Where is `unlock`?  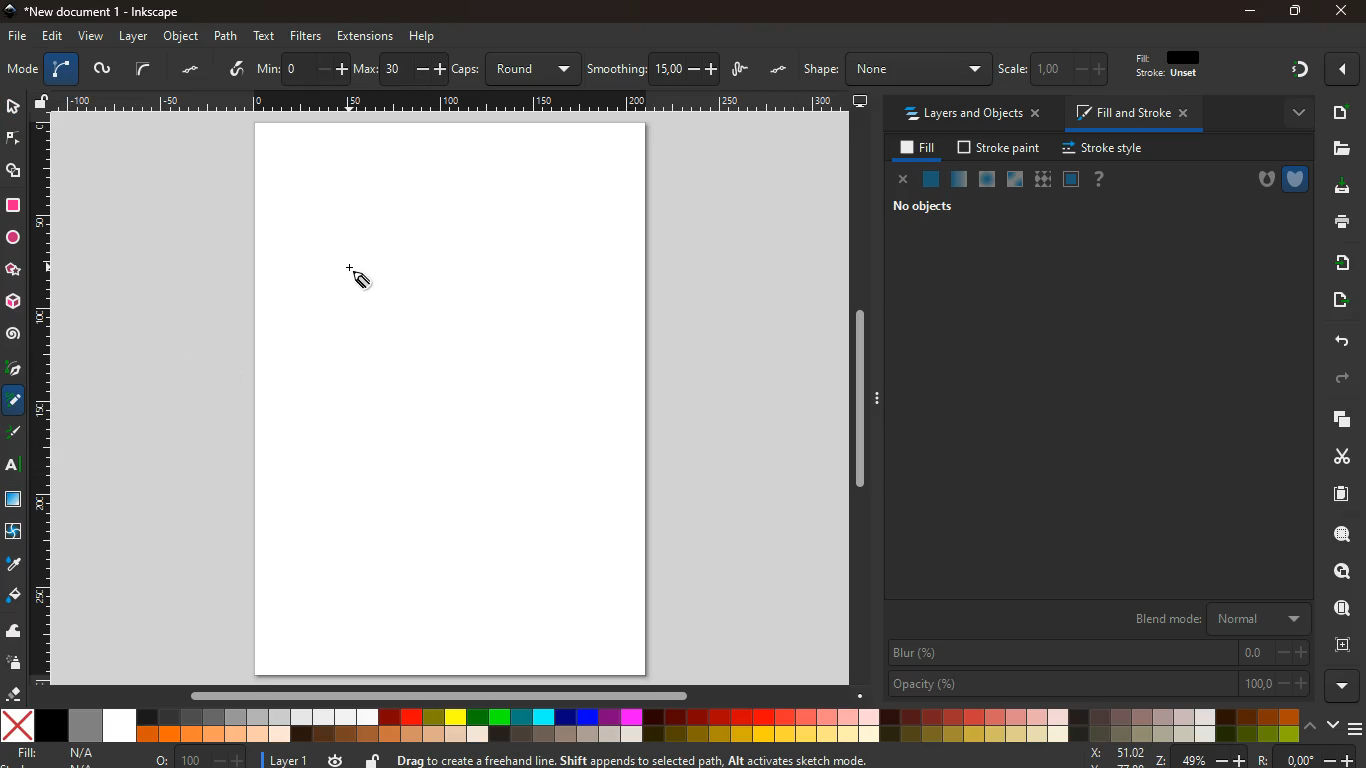
unlock is located at coordinates (374, 759).